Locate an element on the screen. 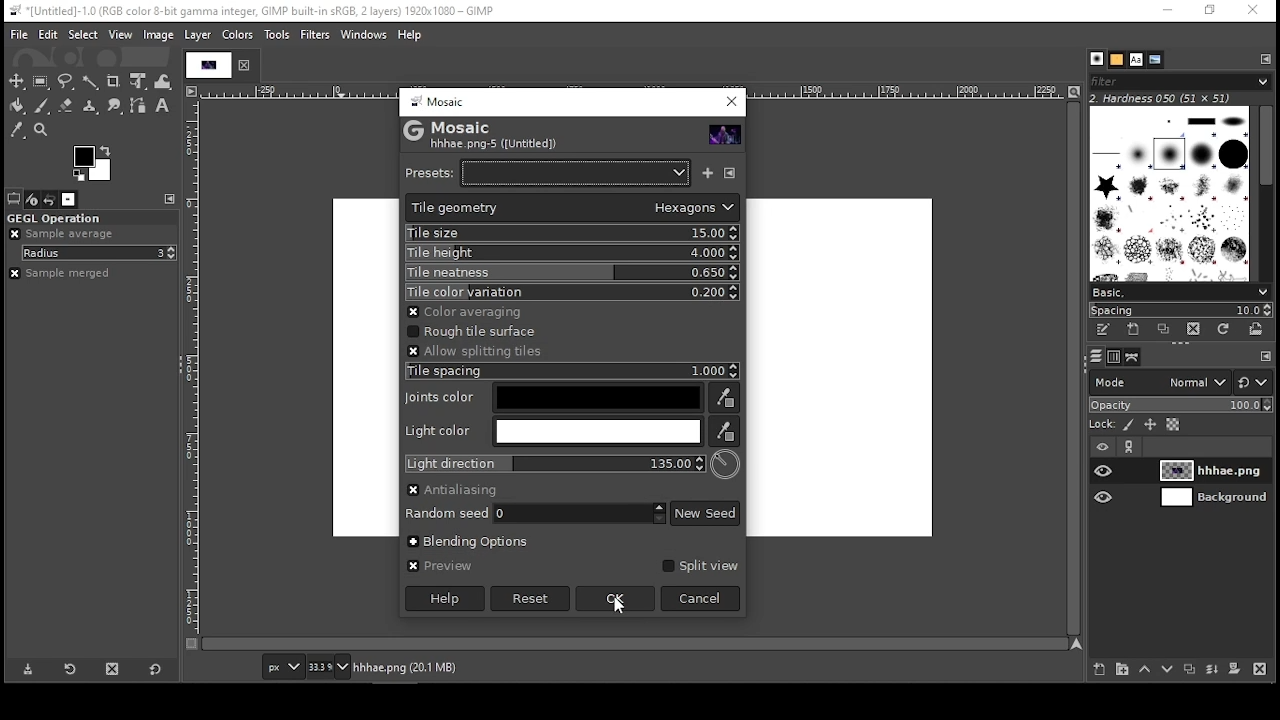 The width and height of the screenshot is (1280, 720). scroll bar is located at coordinates (637, 642).